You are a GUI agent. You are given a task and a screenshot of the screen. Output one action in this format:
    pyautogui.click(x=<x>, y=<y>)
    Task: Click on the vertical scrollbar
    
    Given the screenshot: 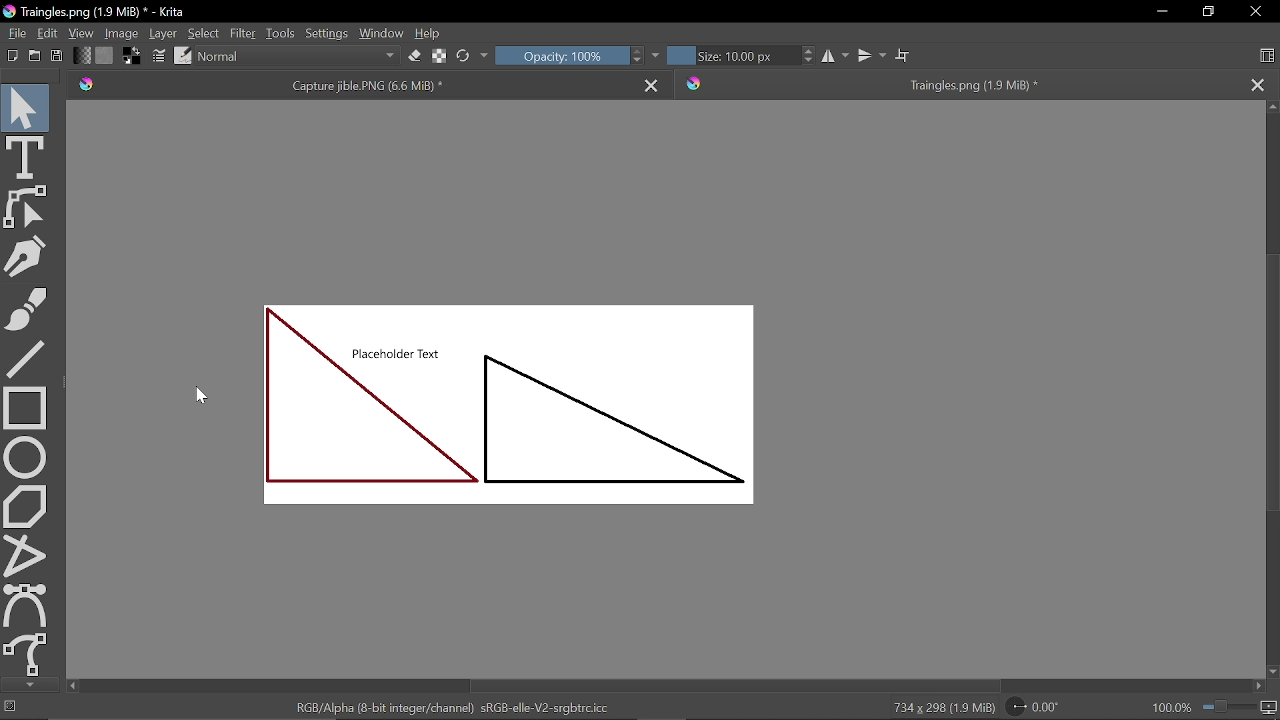 What is the action you would take?
    pyautogui.click(x=1269, y=379)
    